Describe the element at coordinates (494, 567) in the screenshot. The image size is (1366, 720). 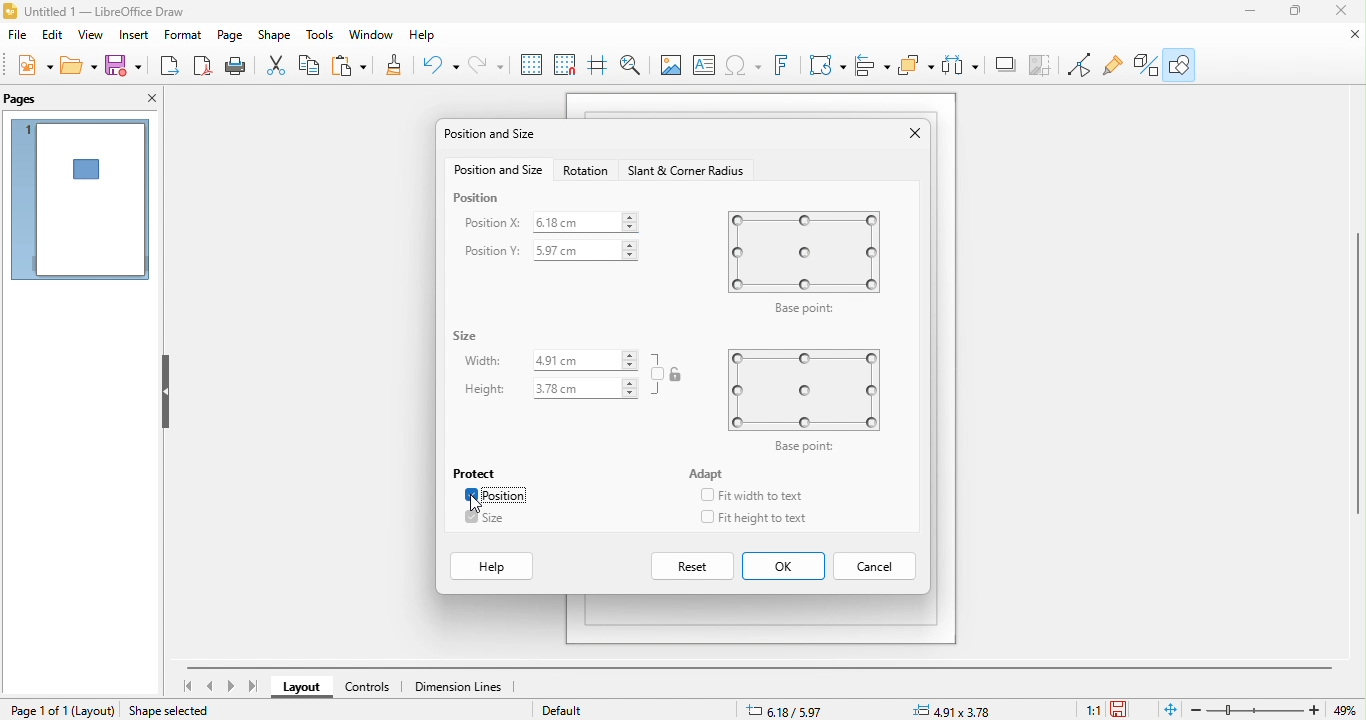
I see `help` at that location.